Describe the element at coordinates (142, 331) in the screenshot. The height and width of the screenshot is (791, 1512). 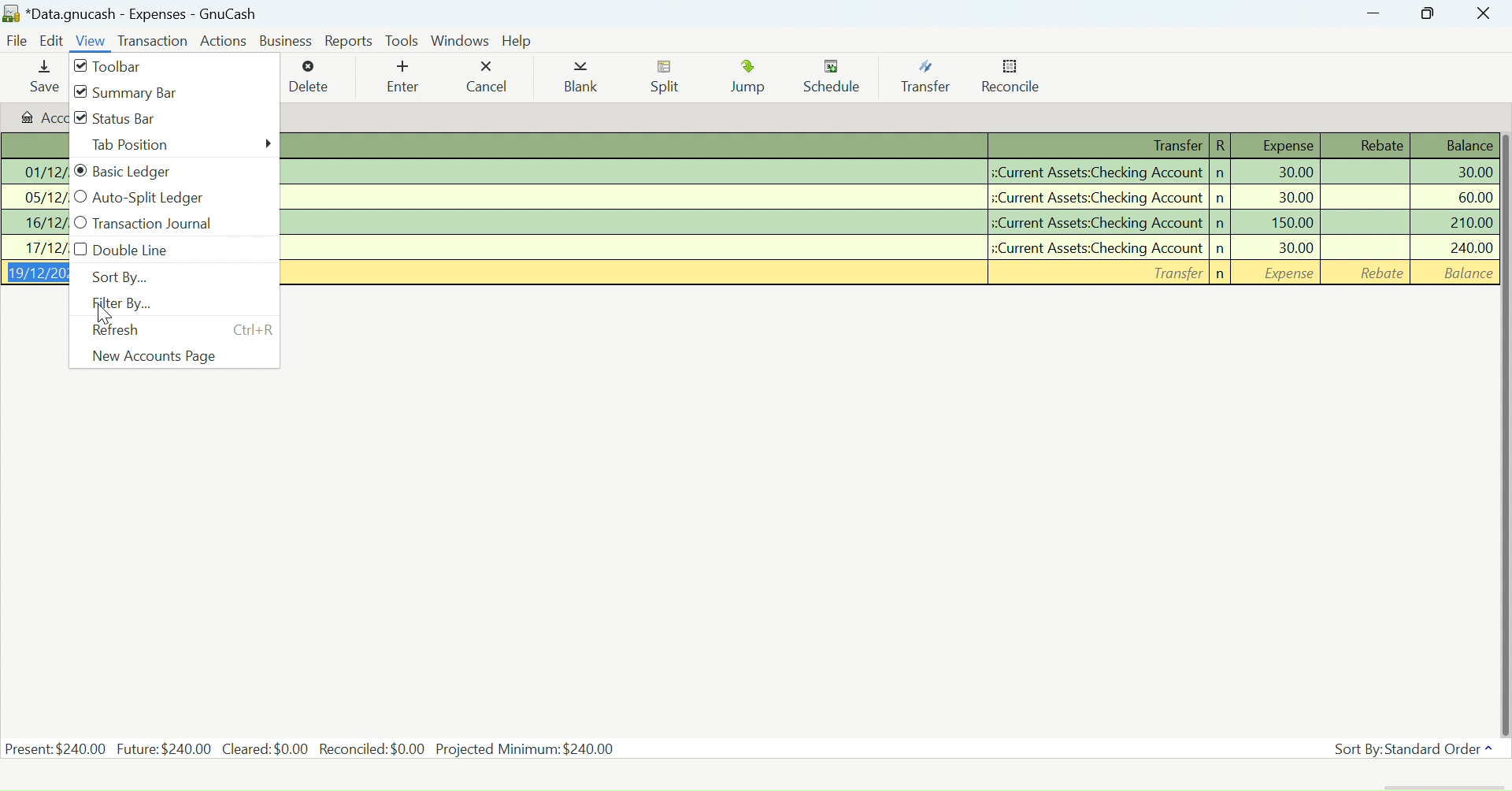
I see `Refresh` at that location.